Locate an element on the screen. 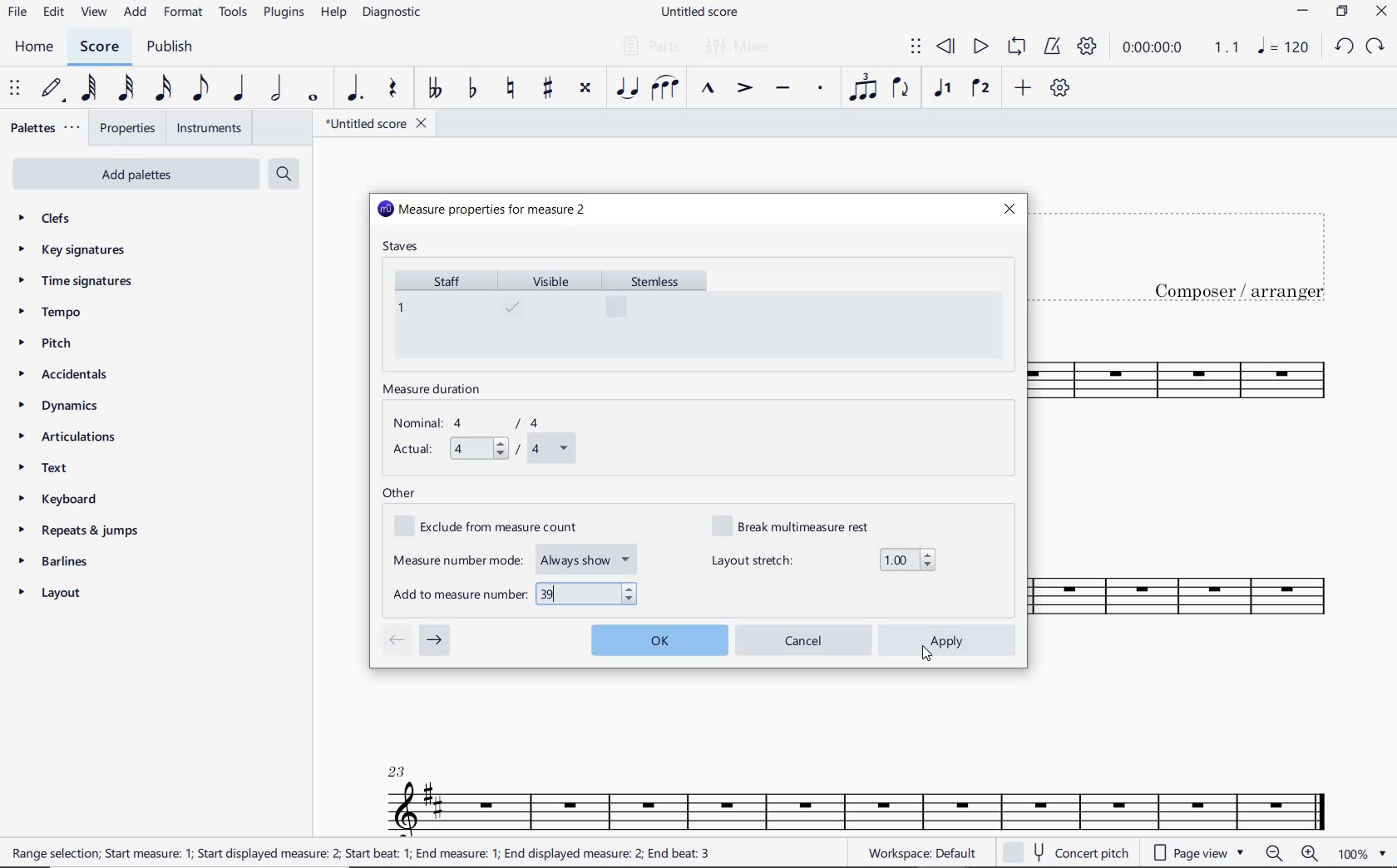 This screenshot has height=868, width=1397. REST is located at coordinates (393, 91).